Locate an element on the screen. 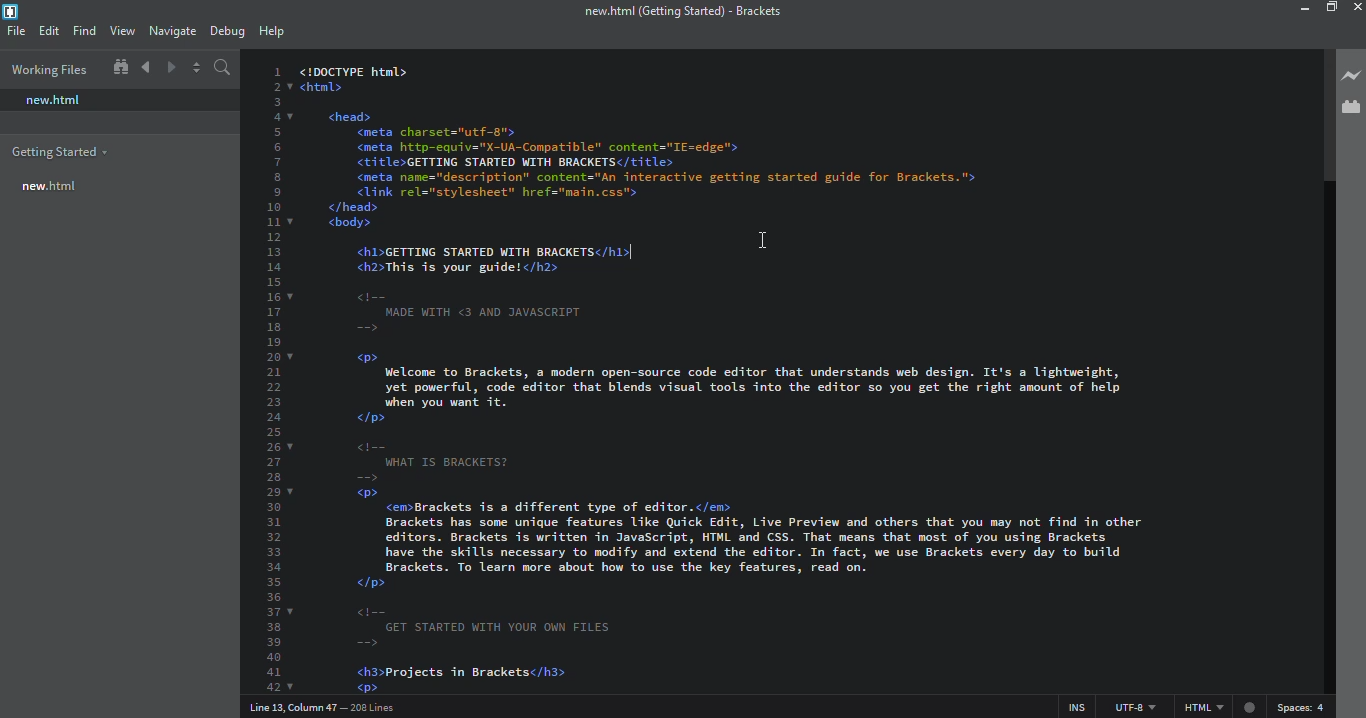 The width and height of the screenshot is (1366, 718). line is located at coordinates (629, 249).